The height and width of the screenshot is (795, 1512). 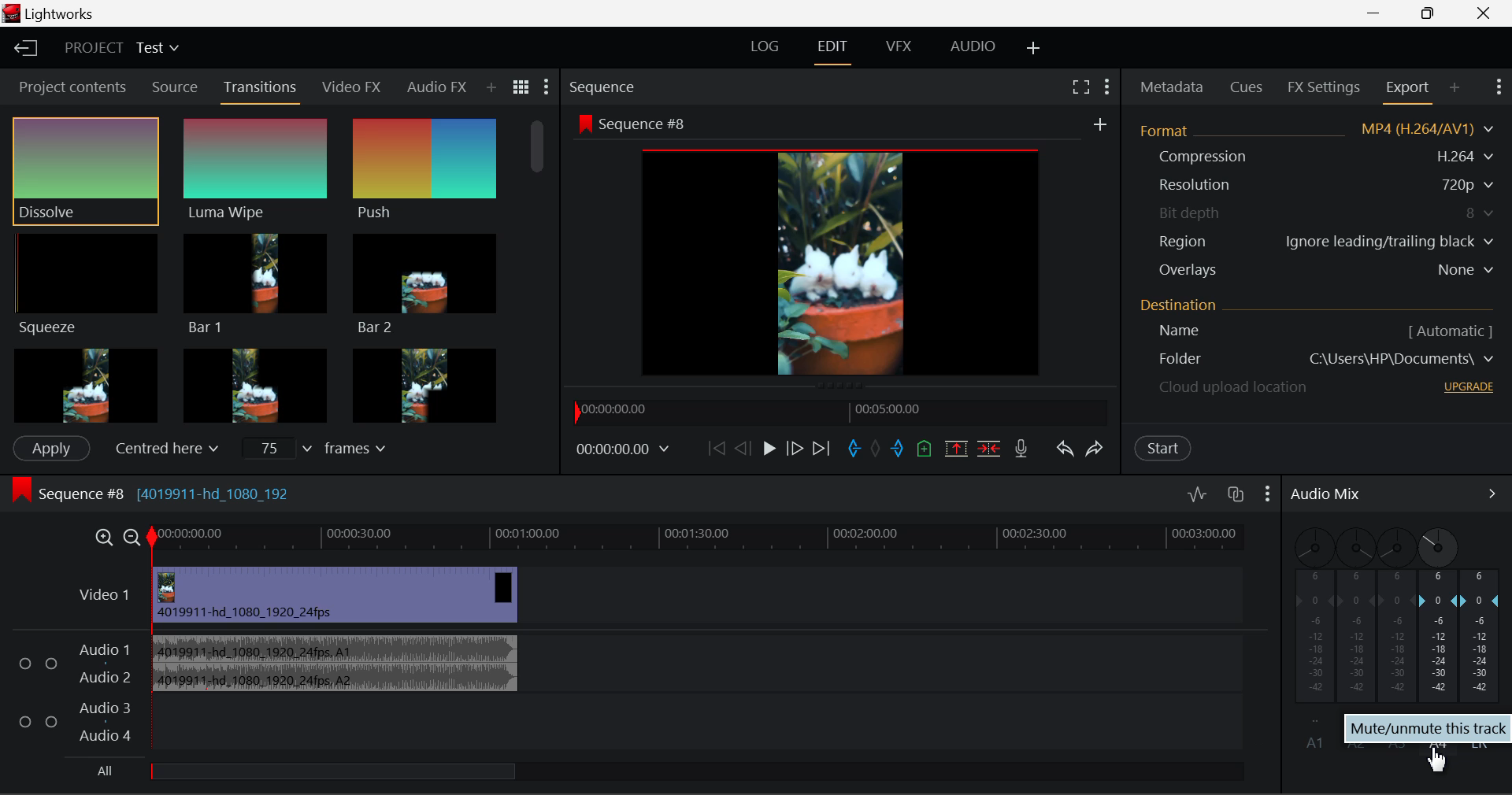 What do you see at coordinates (1499, 87) in the screenshot?
I see `Show Settings` at bounding box center [1499, 87].